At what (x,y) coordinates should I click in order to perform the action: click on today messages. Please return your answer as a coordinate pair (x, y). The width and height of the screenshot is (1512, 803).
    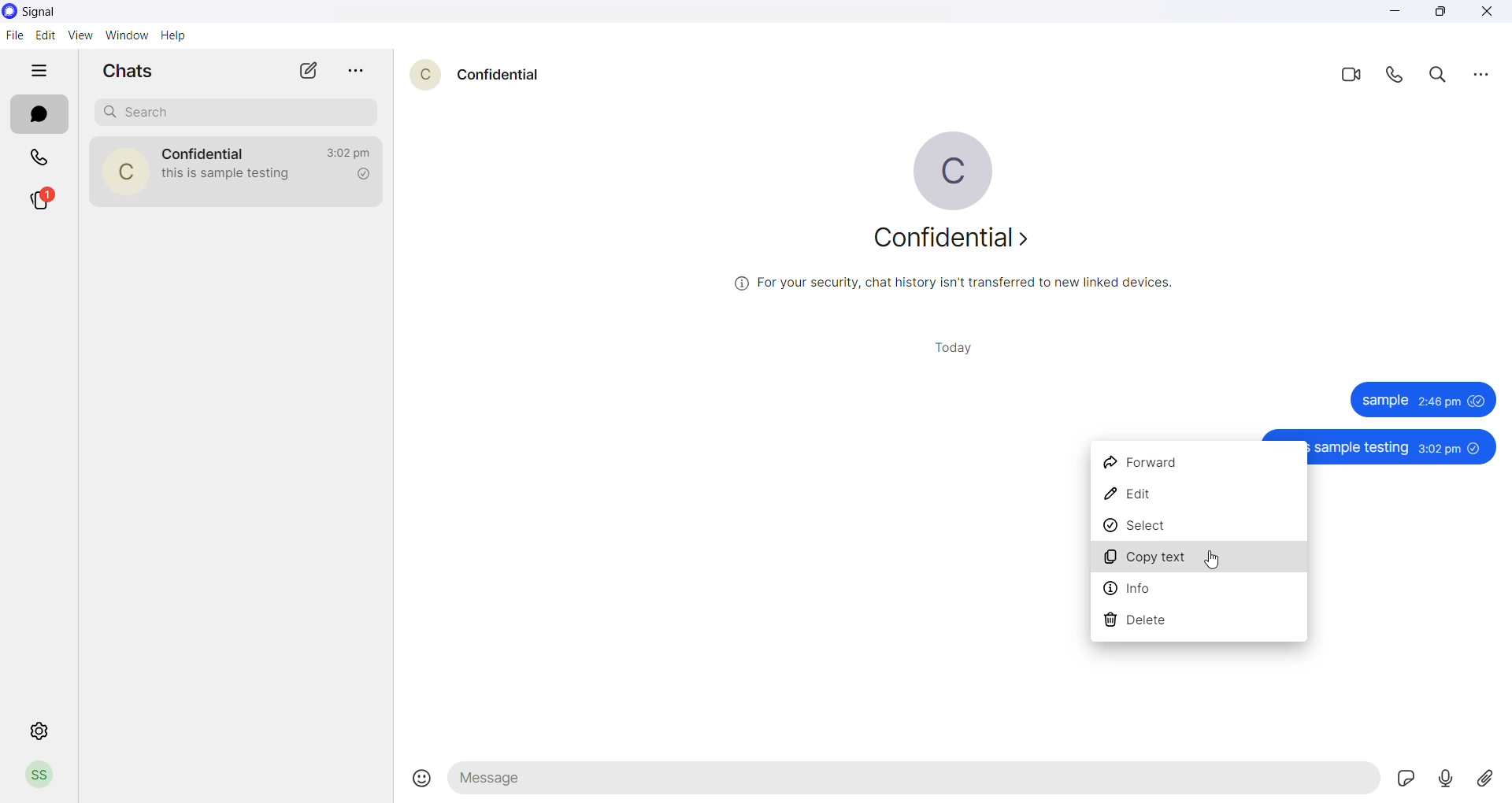
    Looking at the image, I should click on (953, 349).